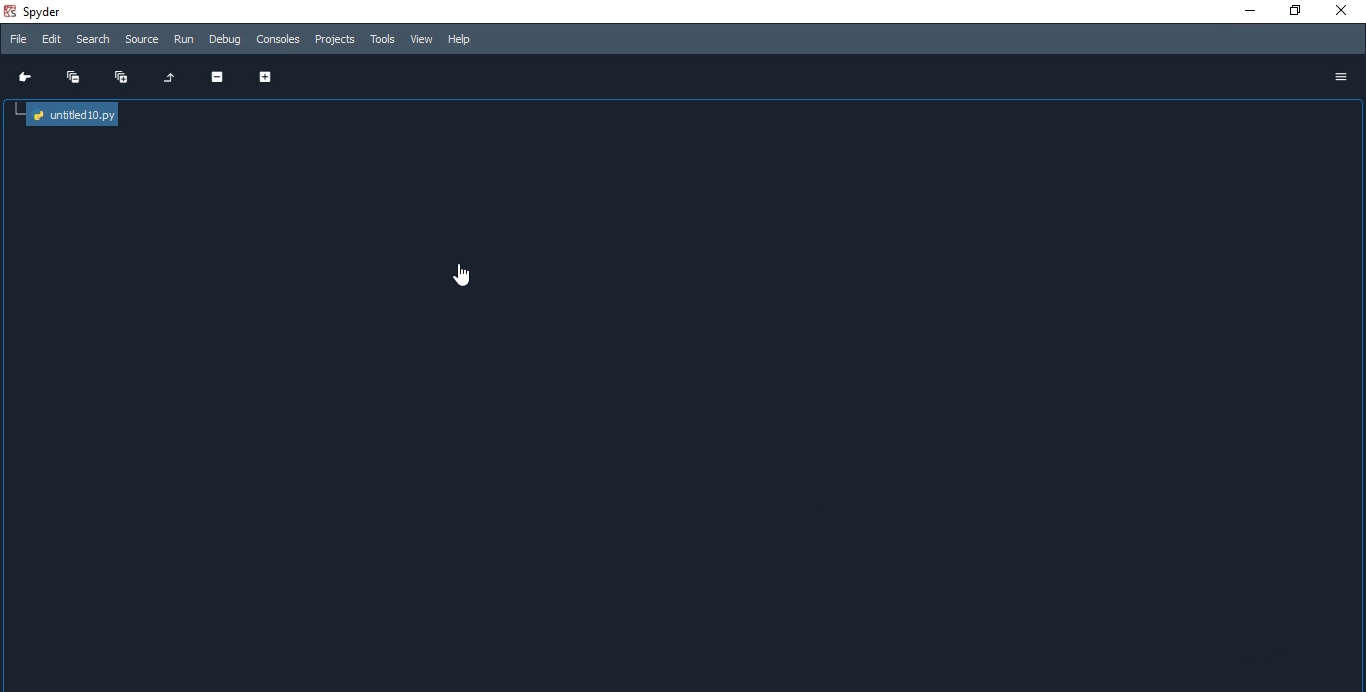 The width and height of the screenshot is (1366, 692). What do you see at coordinates (19, 40) in the screenshot?
I see `File ` at bounding box center [19, 40].